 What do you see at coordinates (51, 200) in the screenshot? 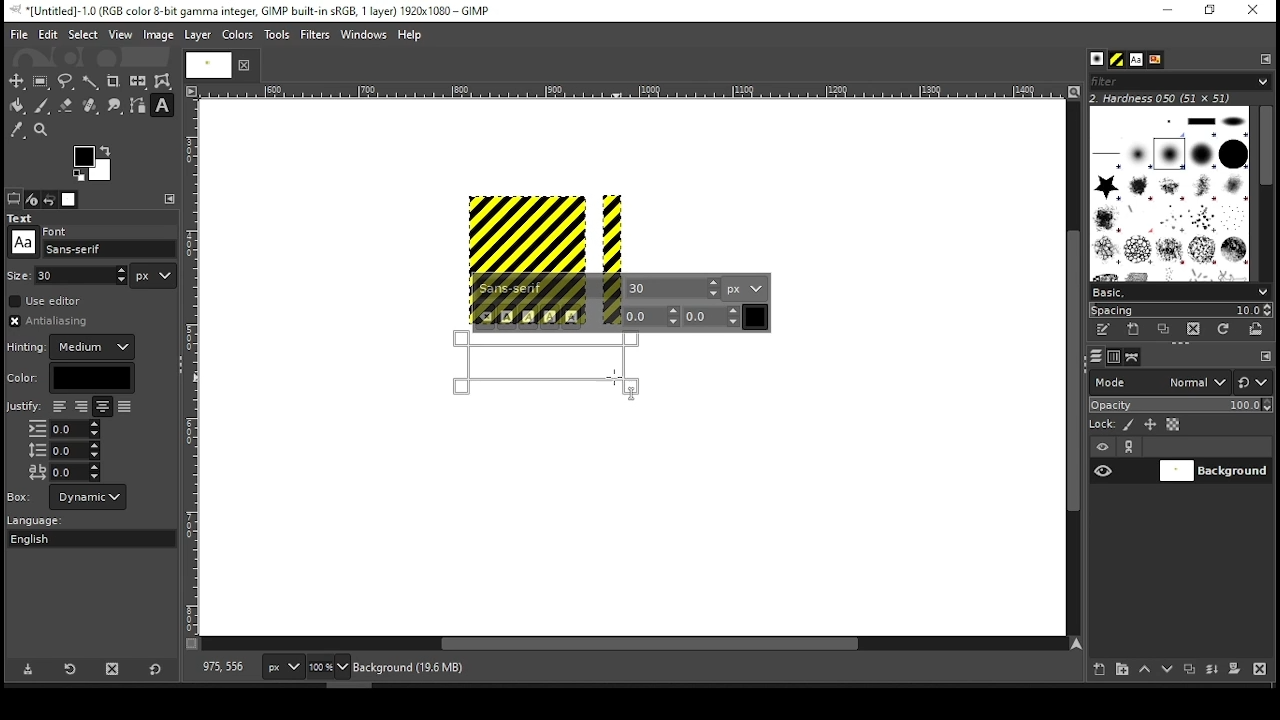
I see `undo history` at bounding box center [51, 200].